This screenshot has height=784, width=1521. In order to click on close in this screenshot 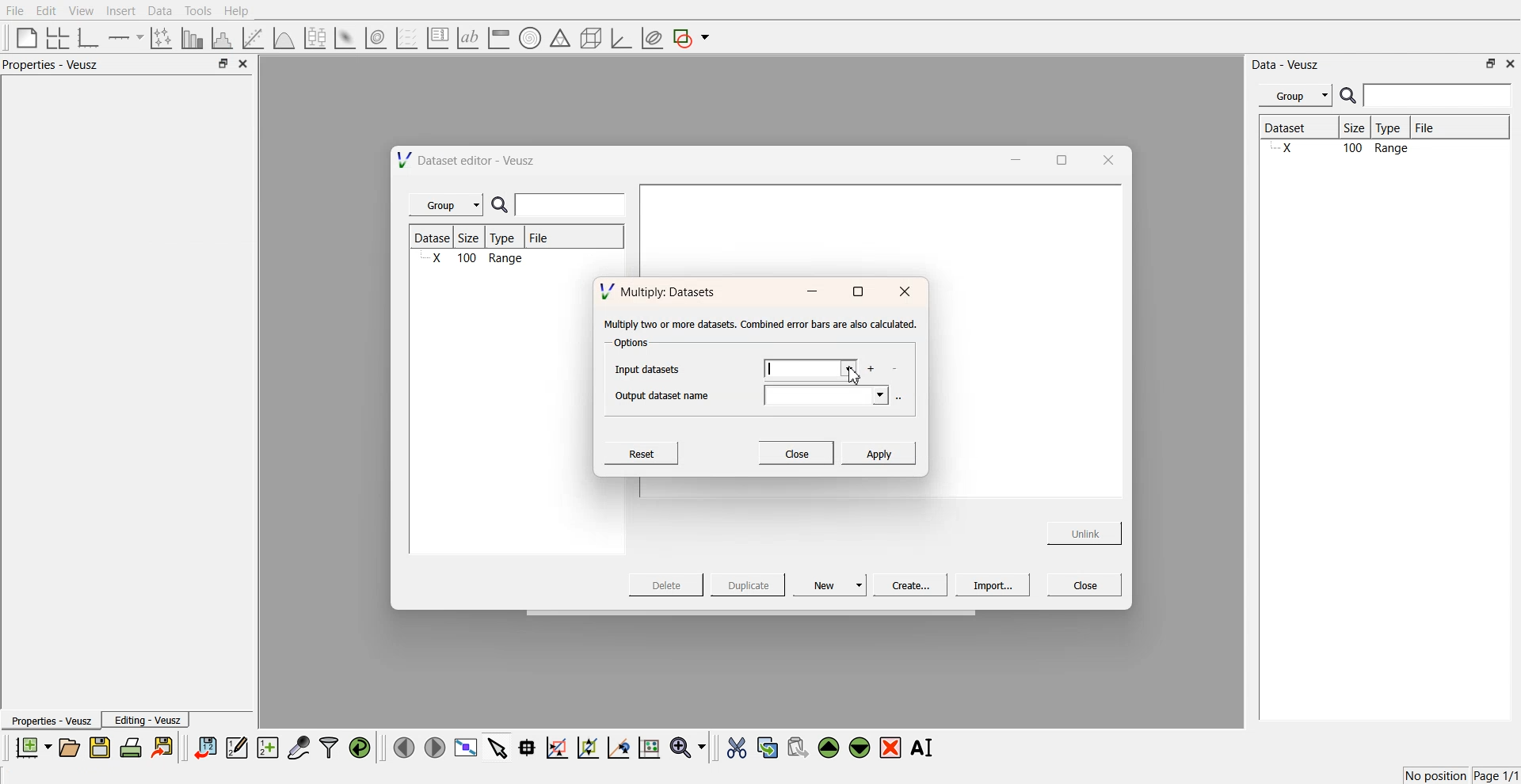, I will do `click(1107, 159)`.